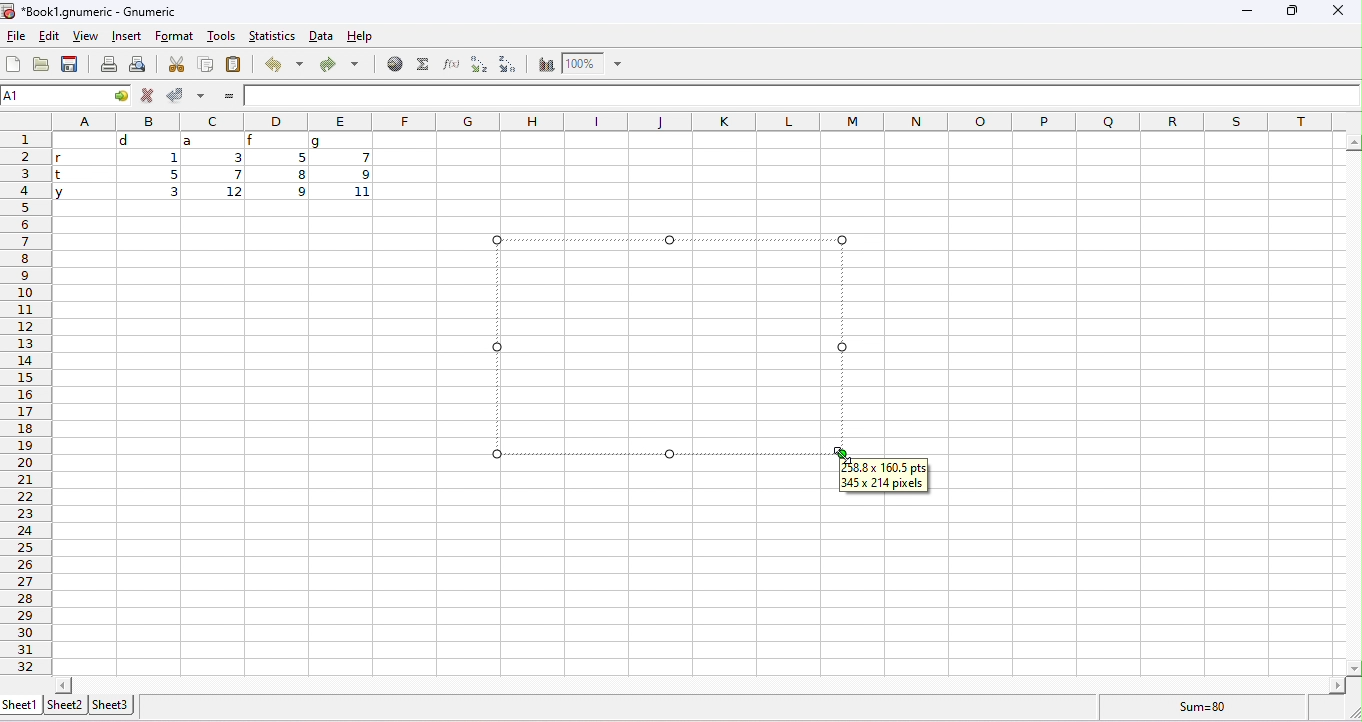  What do you see at coordinates (282, 63) in the screenshot?
I see `undo` at bounding box center [282, 63].